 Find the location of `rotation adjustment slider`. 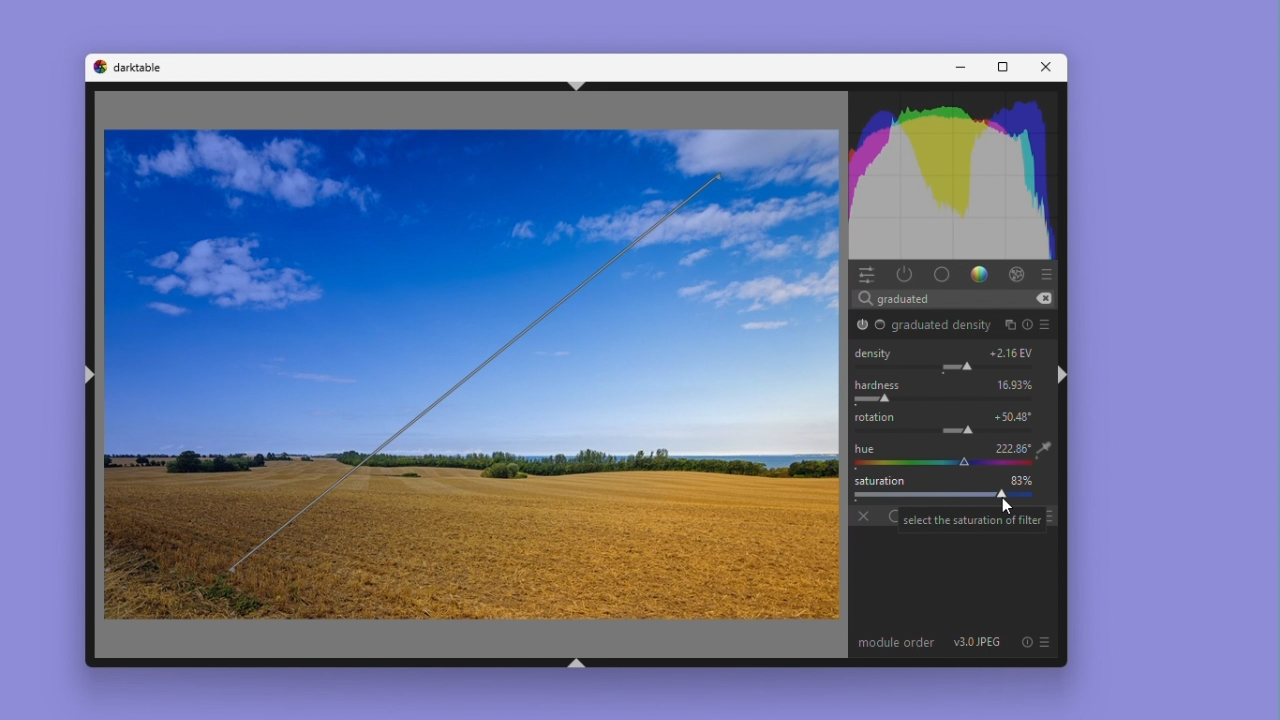

rotation adjustment slider is located at coordinates (958, 430).